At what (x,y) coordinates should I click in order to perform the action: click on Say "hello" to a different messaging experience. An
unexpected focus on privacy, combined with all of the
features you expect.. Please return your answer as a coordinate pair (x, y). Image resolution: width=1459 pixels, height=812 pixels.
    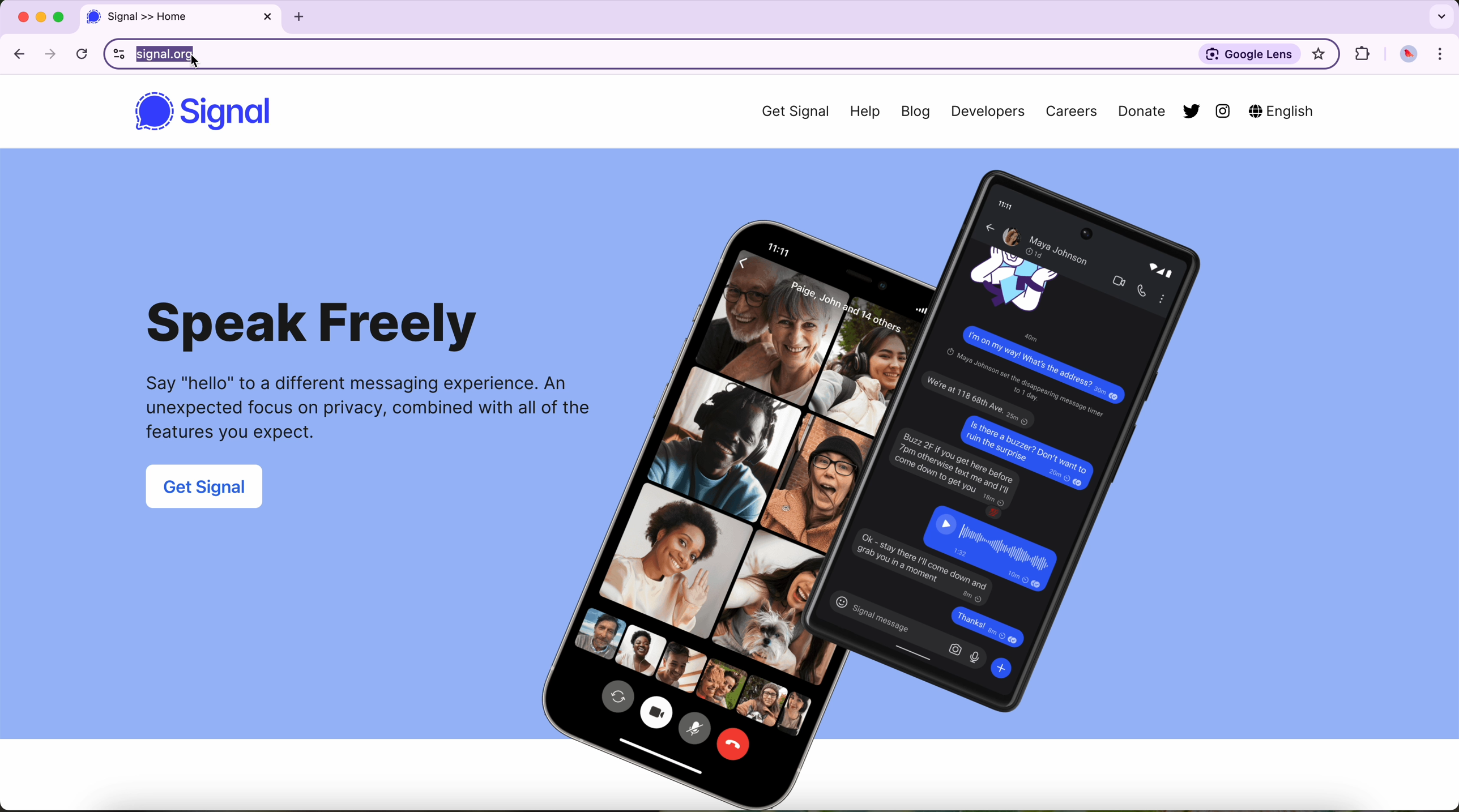
    Looking at the image, I should click on (356, 412).